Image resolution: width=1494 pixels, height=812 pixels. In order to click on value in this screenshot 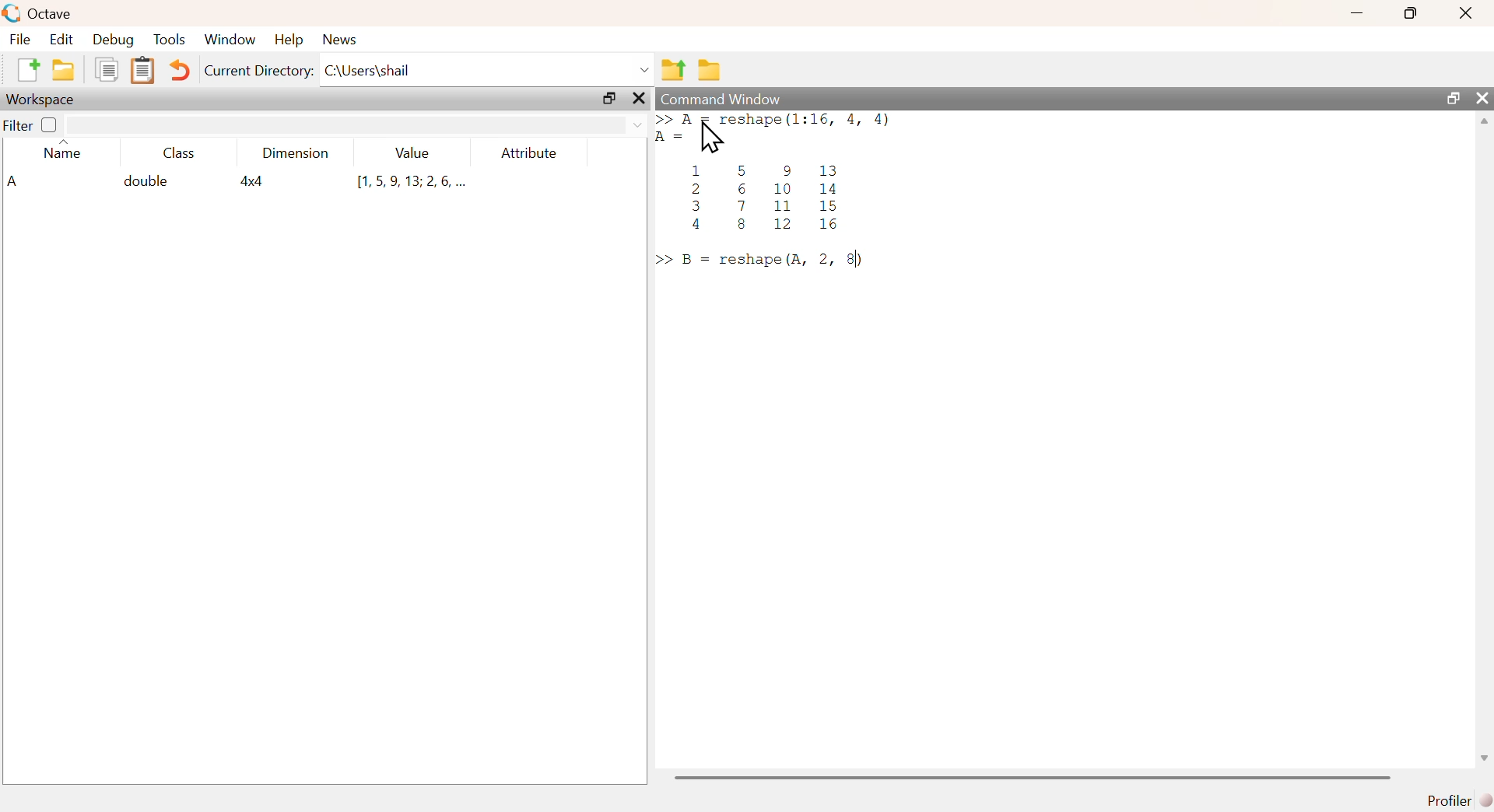, I will do `click(414, 154)`.